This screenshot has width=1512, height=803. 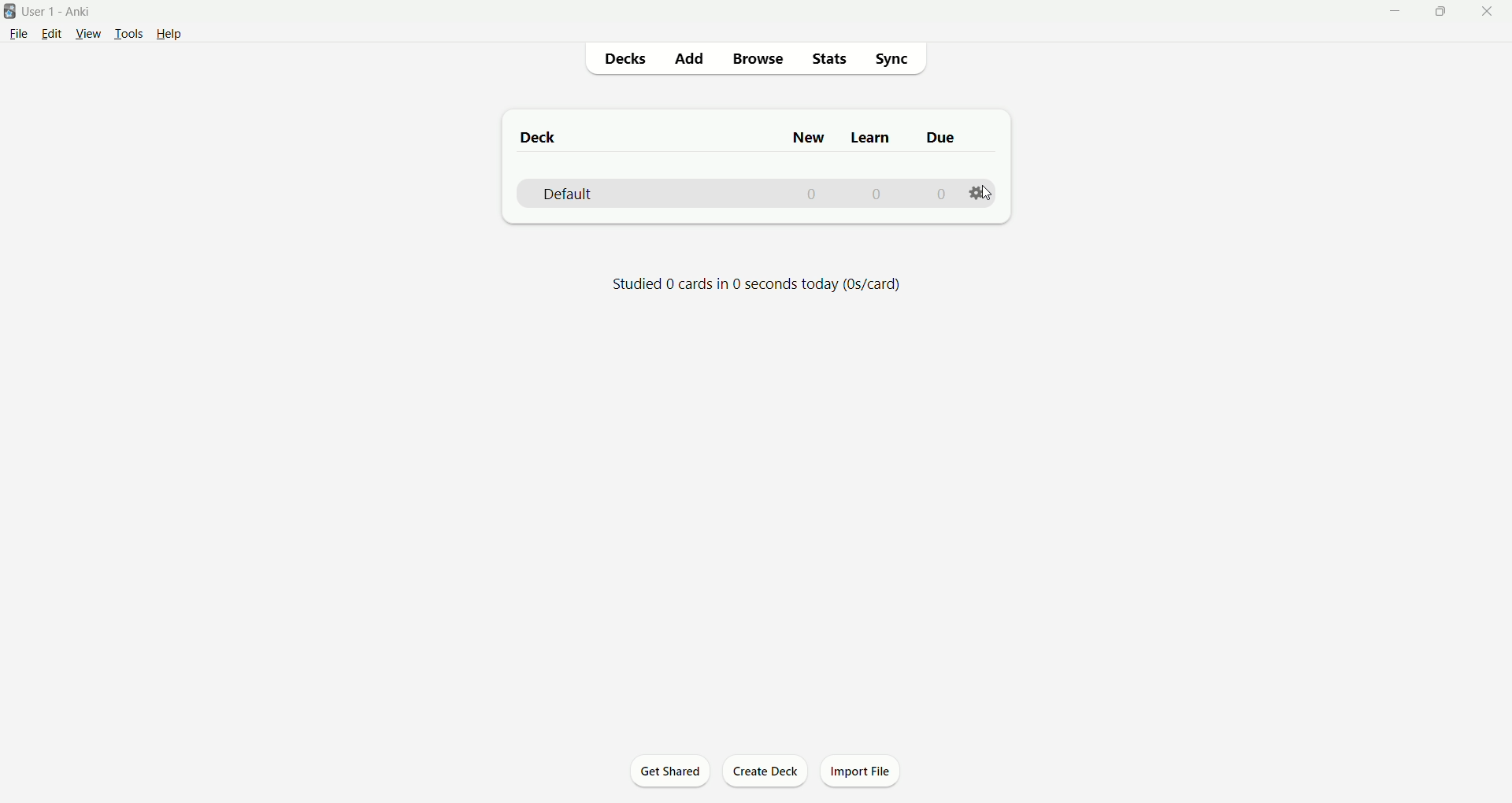 What do you see at coordinates (889, 58) in the screenshot?
I see `sync` at bounding box center [889, 58].